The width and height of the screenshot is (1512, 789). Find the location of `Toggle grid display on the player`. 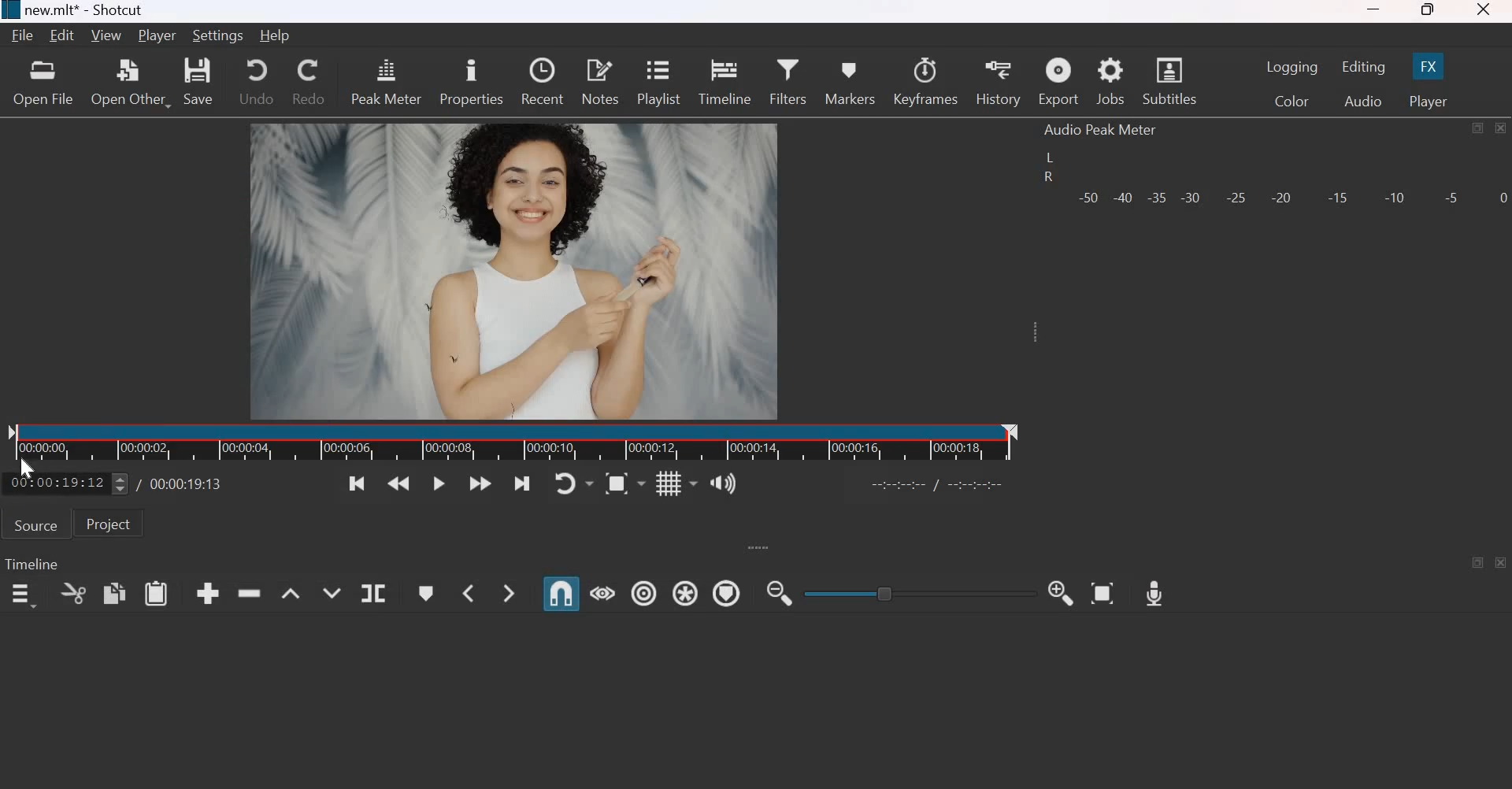

Toggle grid display on the player is located at coordinates (676, 482).